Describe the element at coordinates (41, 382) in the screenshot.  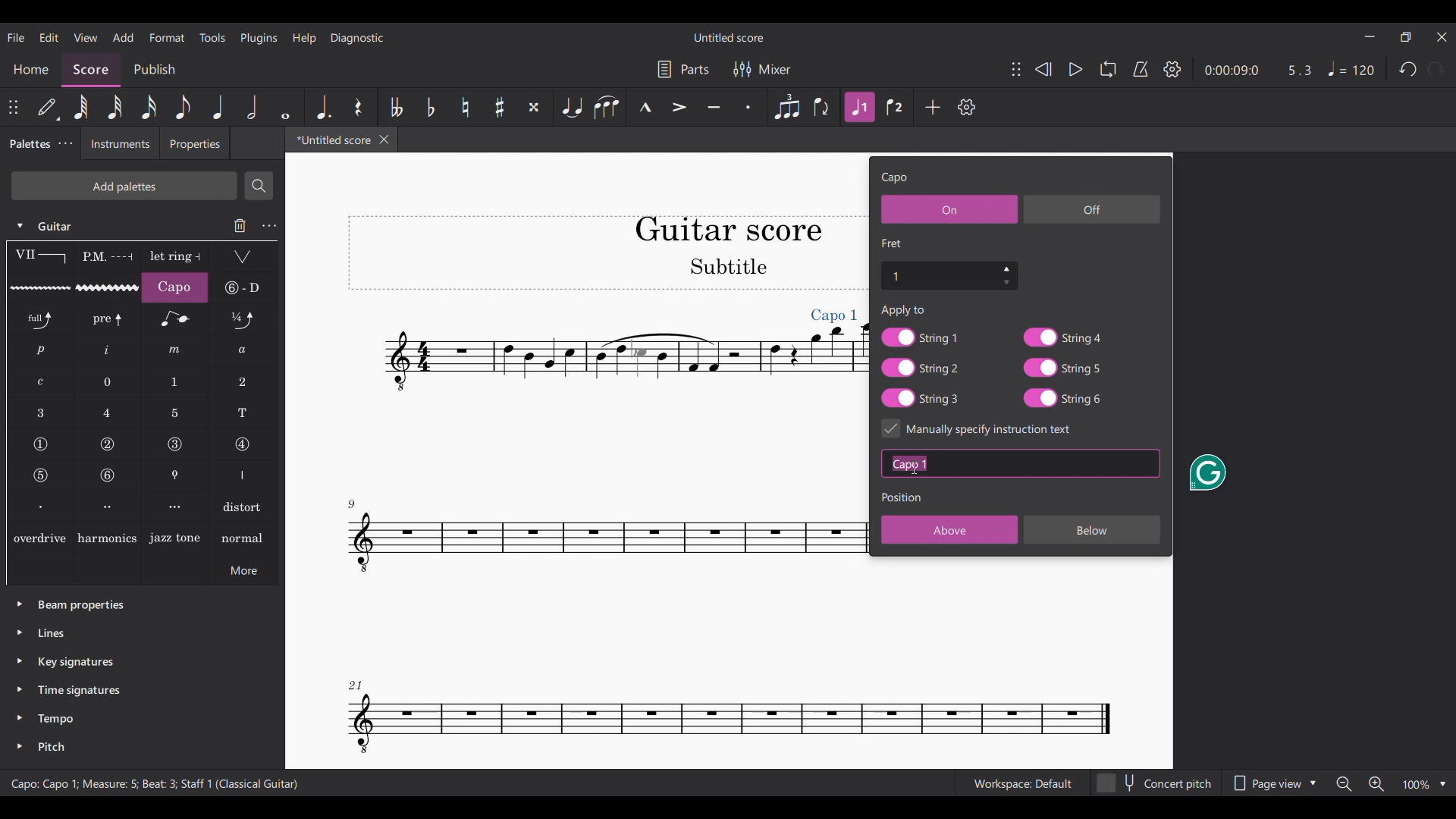
I see `RH guitar fingering c` at that location.